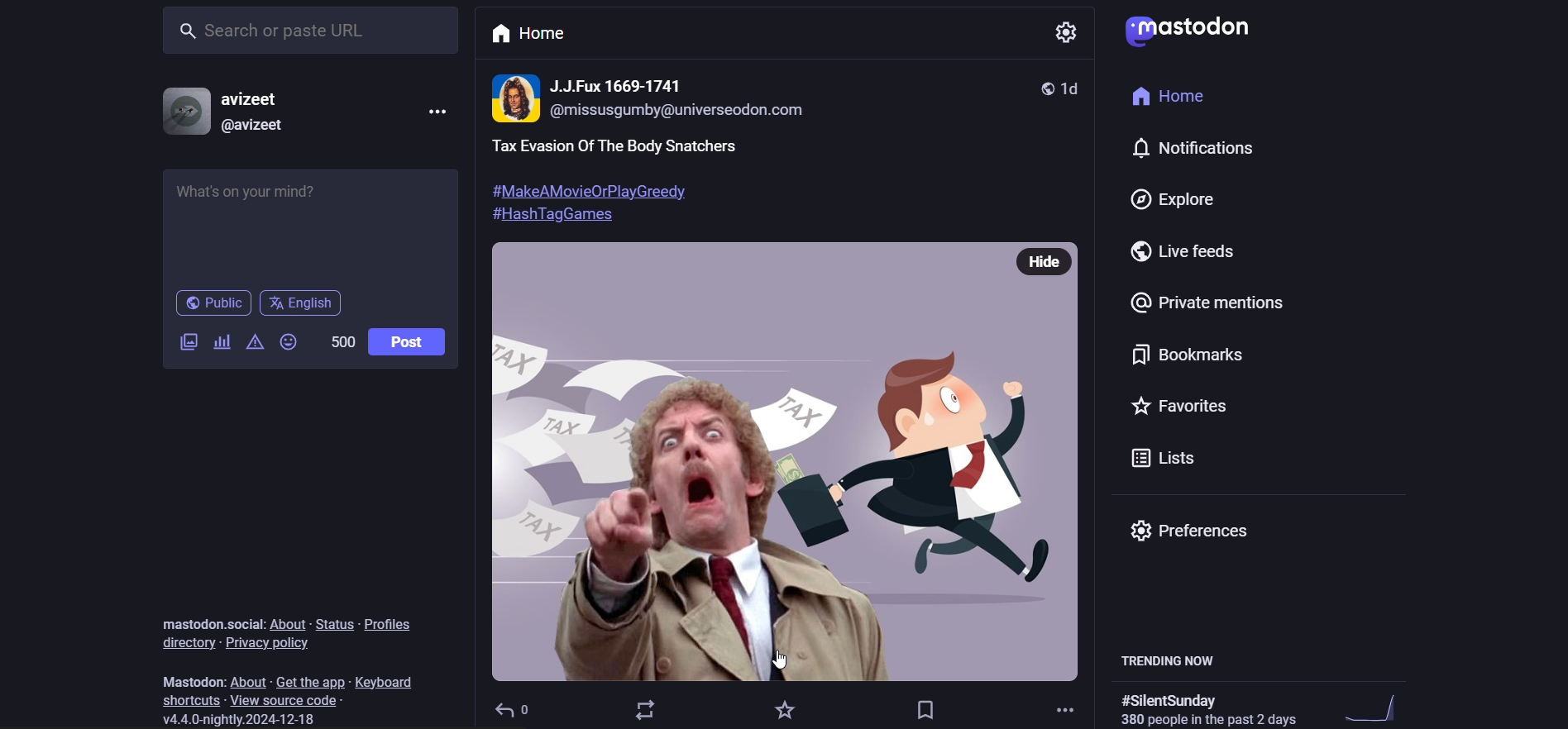 The height and width of the screenshot is (729, 1568). What do you see at coordinates (1064, 705) in the screenshot?
I see `more` at bounding box center [1064, 705].